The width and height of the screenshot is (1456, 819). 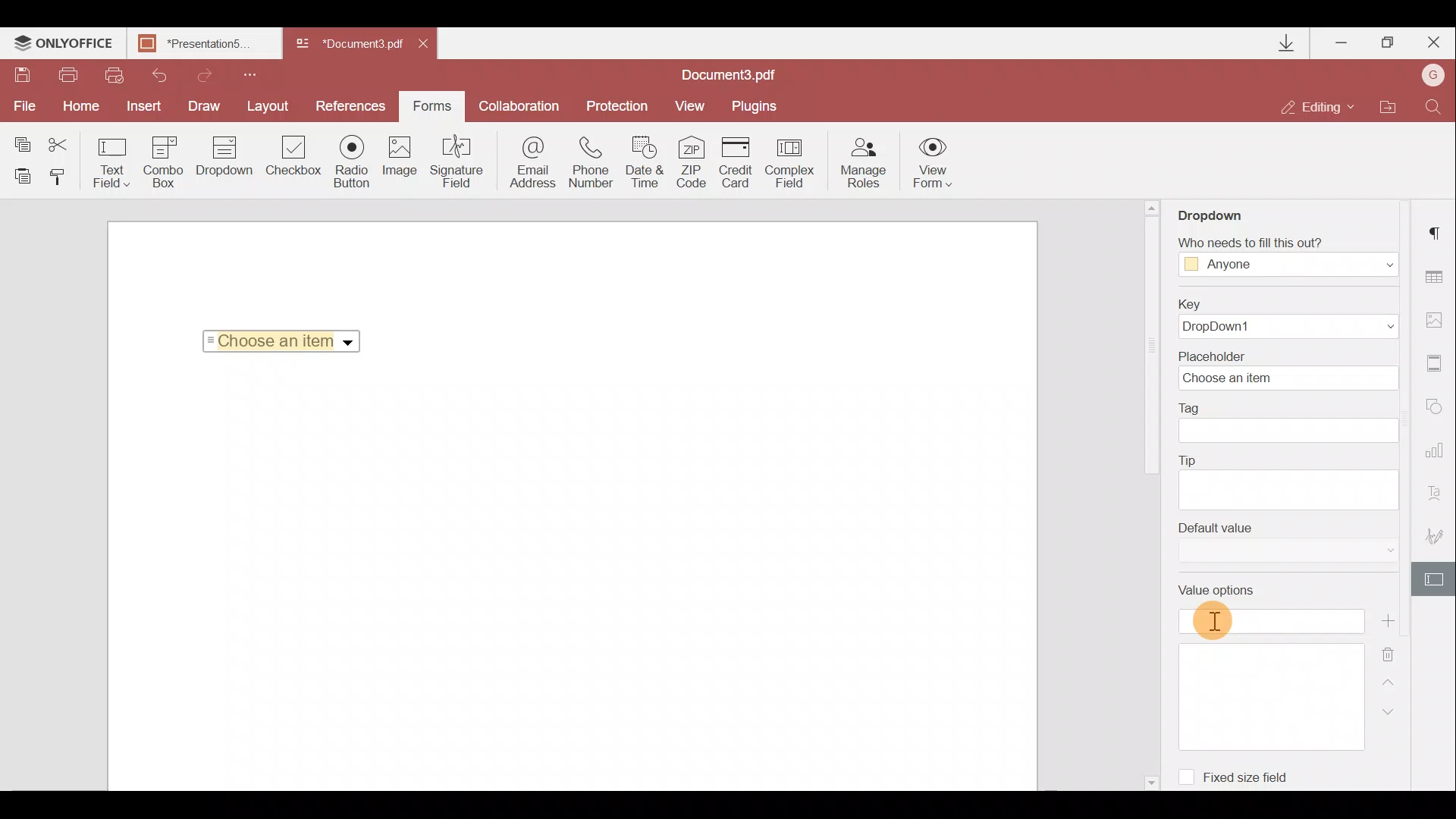 I want to click on text cursor, so click(x=1215, y=619).